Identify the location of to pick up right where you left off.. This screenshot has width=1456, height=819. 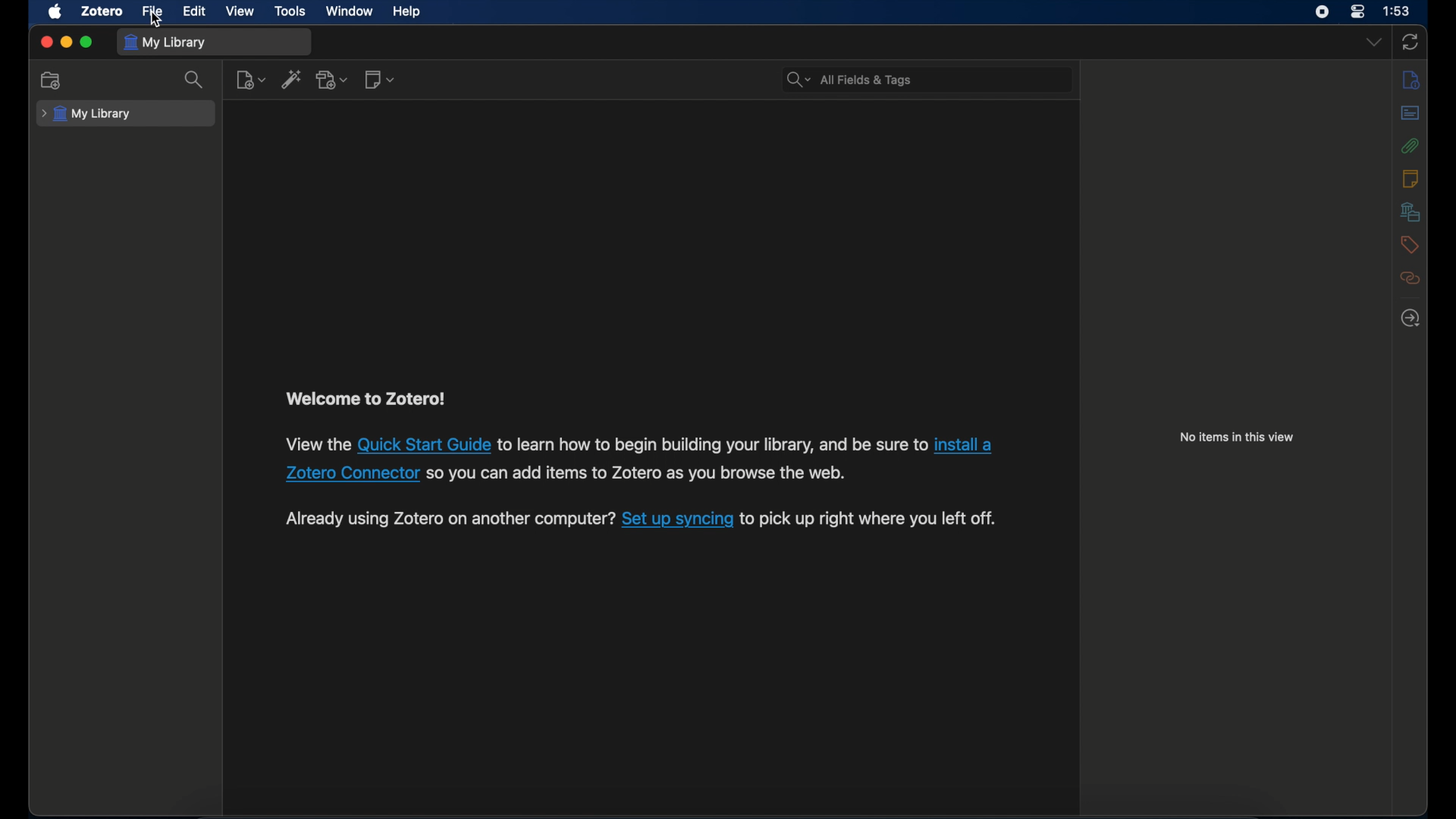
(868, 519).